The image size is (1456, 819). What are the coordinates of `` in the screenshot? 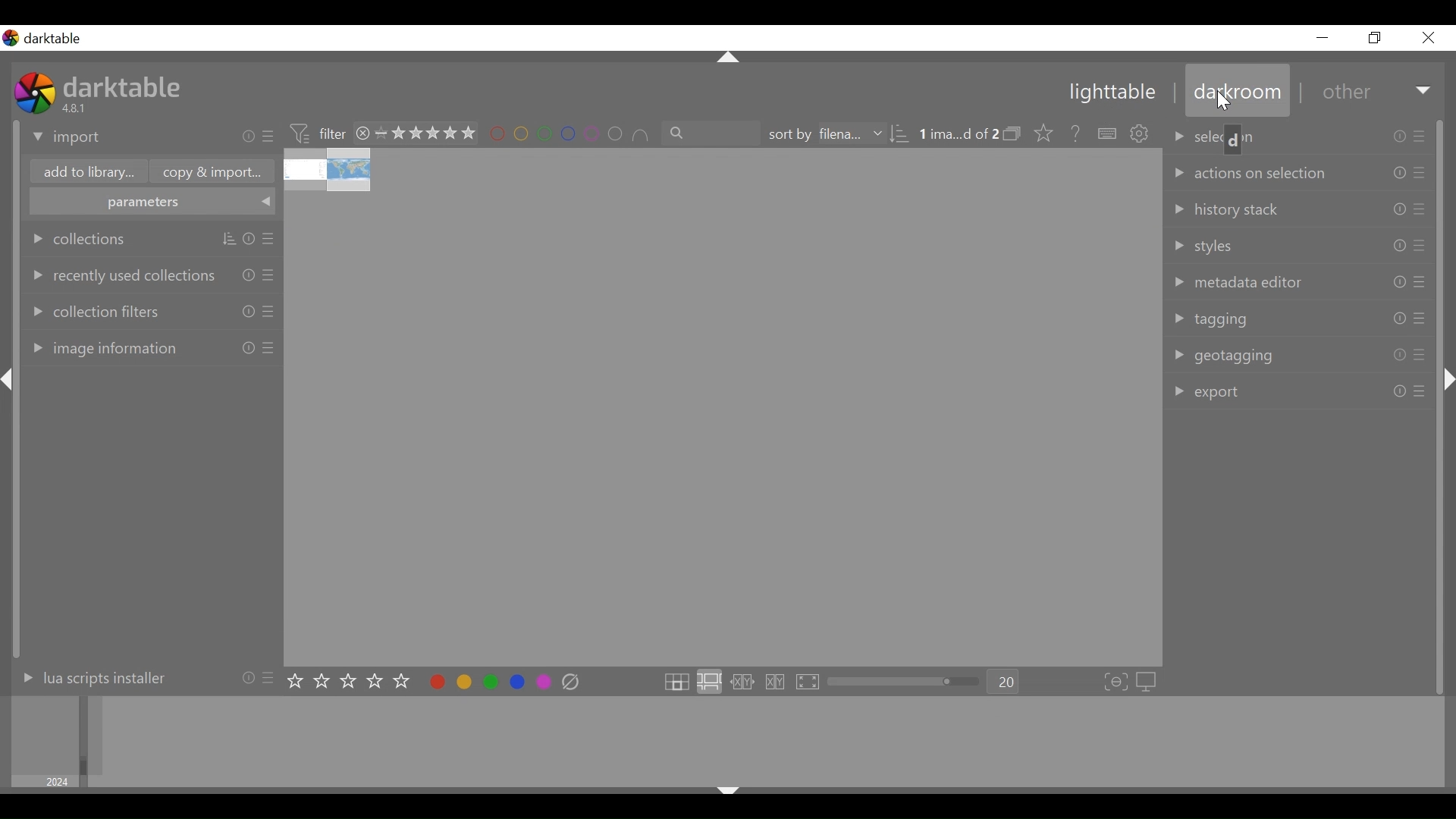 It's located at (1423, 322).